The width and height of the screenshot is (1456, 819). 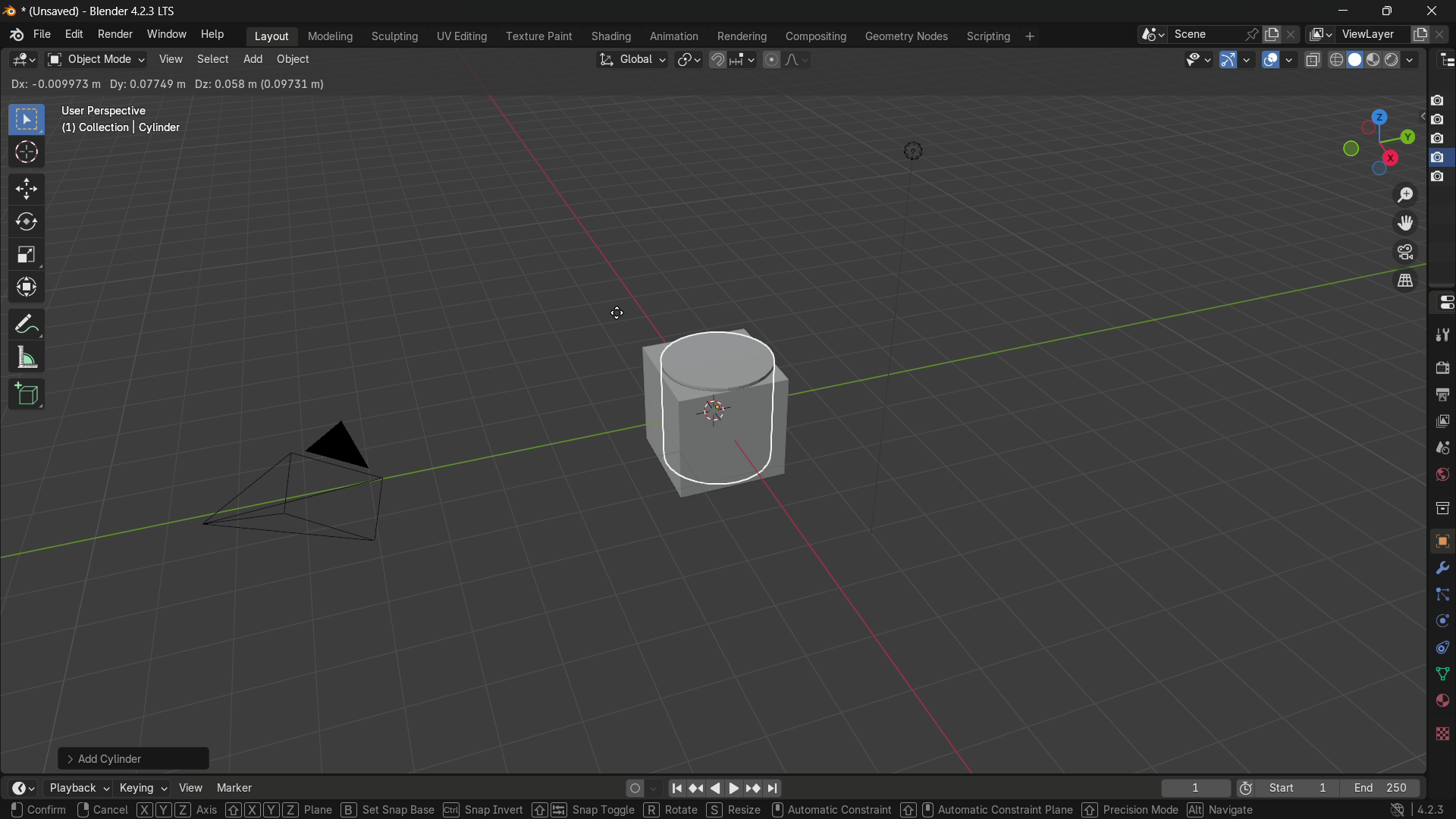 What do you see at coordinates (273, 37) in the screenshot?
I see `layout menu` at bounding box center [273, 37].